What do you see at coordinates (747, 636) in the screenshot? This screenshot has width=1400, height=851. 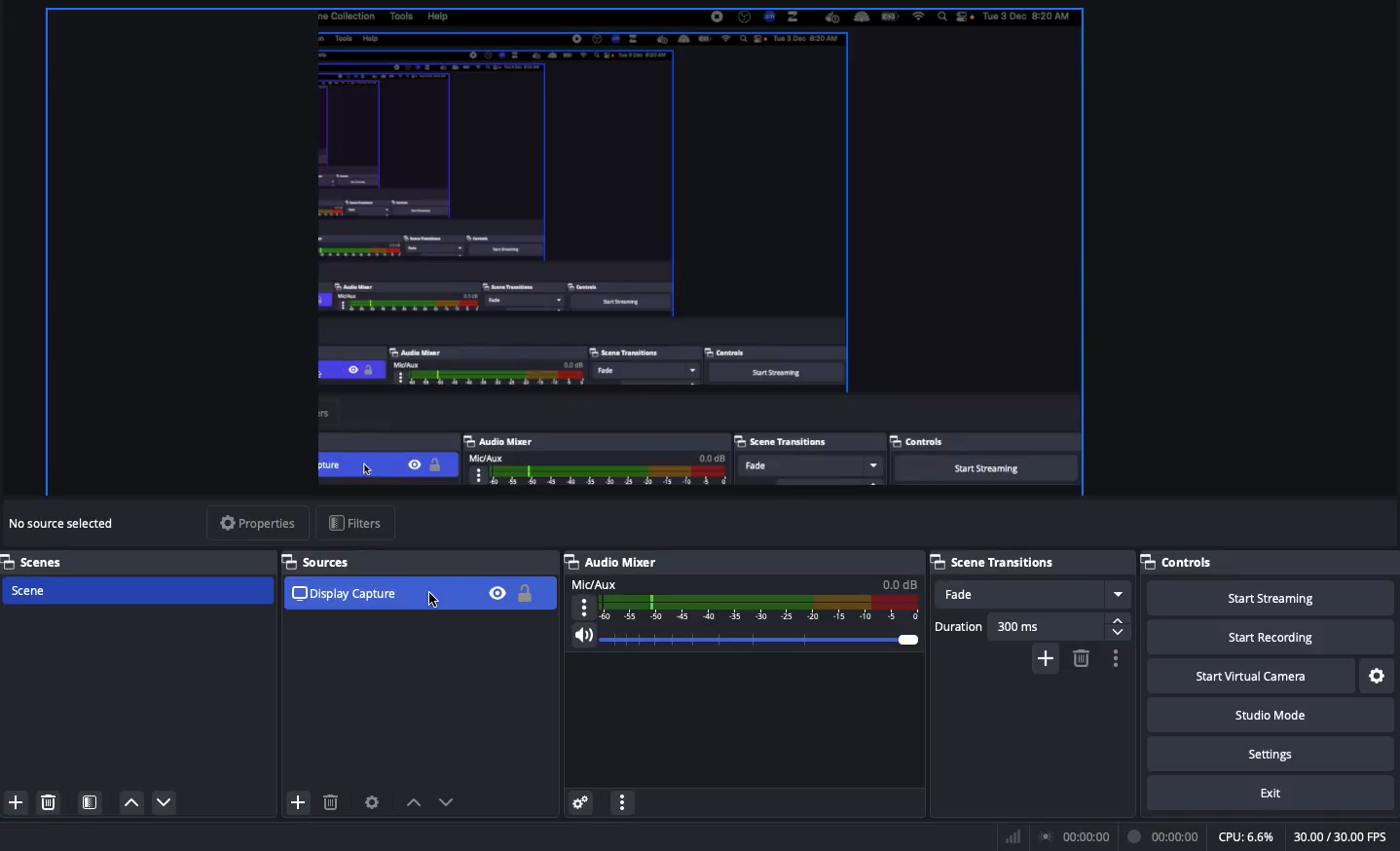 I see `Volume` at bounding box center [747, 636].